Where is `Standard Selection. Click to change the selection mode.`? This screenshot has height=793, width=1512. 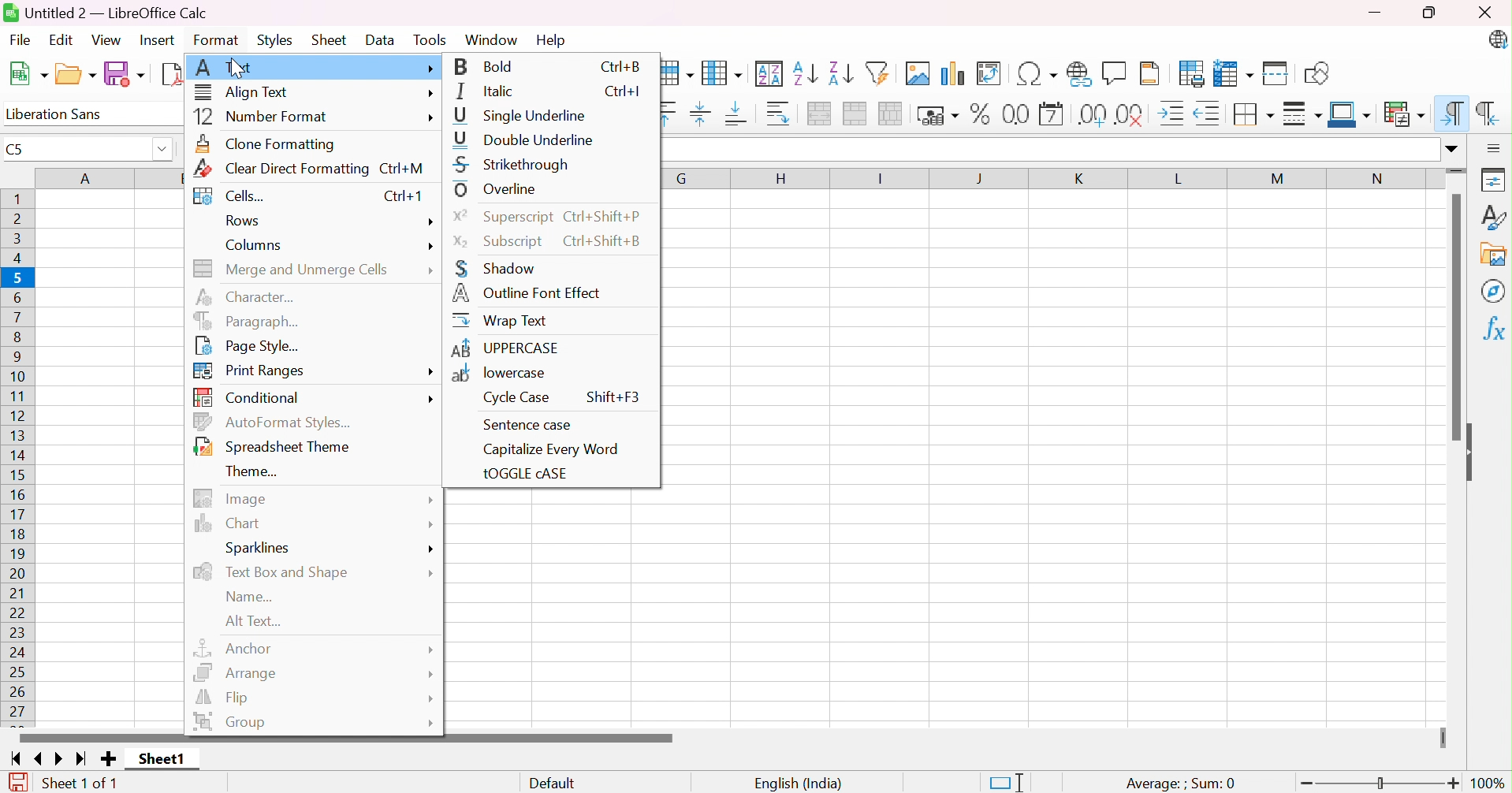 Standard Selection. Click to change the selection mode. is located at coordinates (1011, 782).